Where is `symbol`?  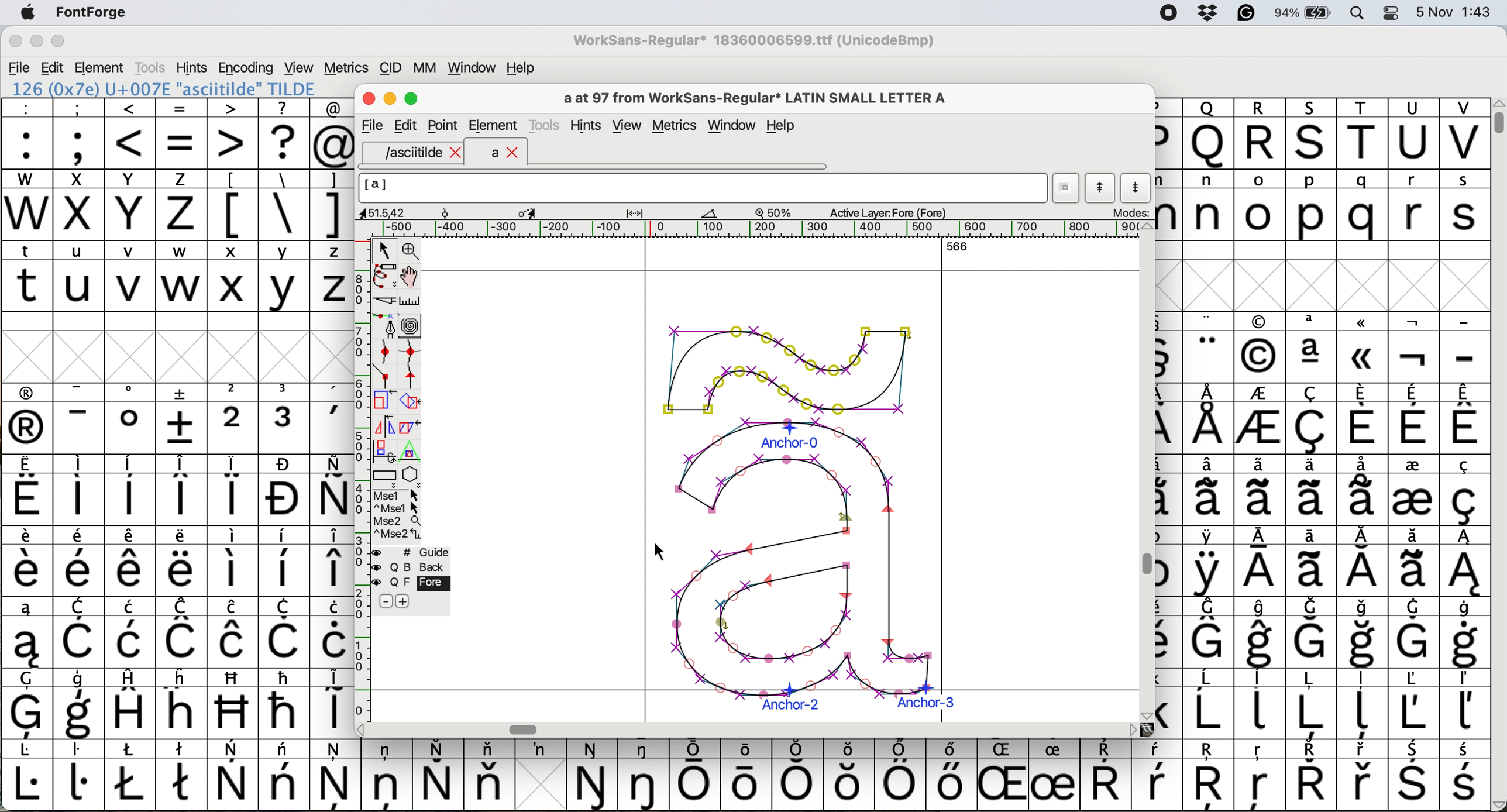
symbol is located at coordinates (332, 701).